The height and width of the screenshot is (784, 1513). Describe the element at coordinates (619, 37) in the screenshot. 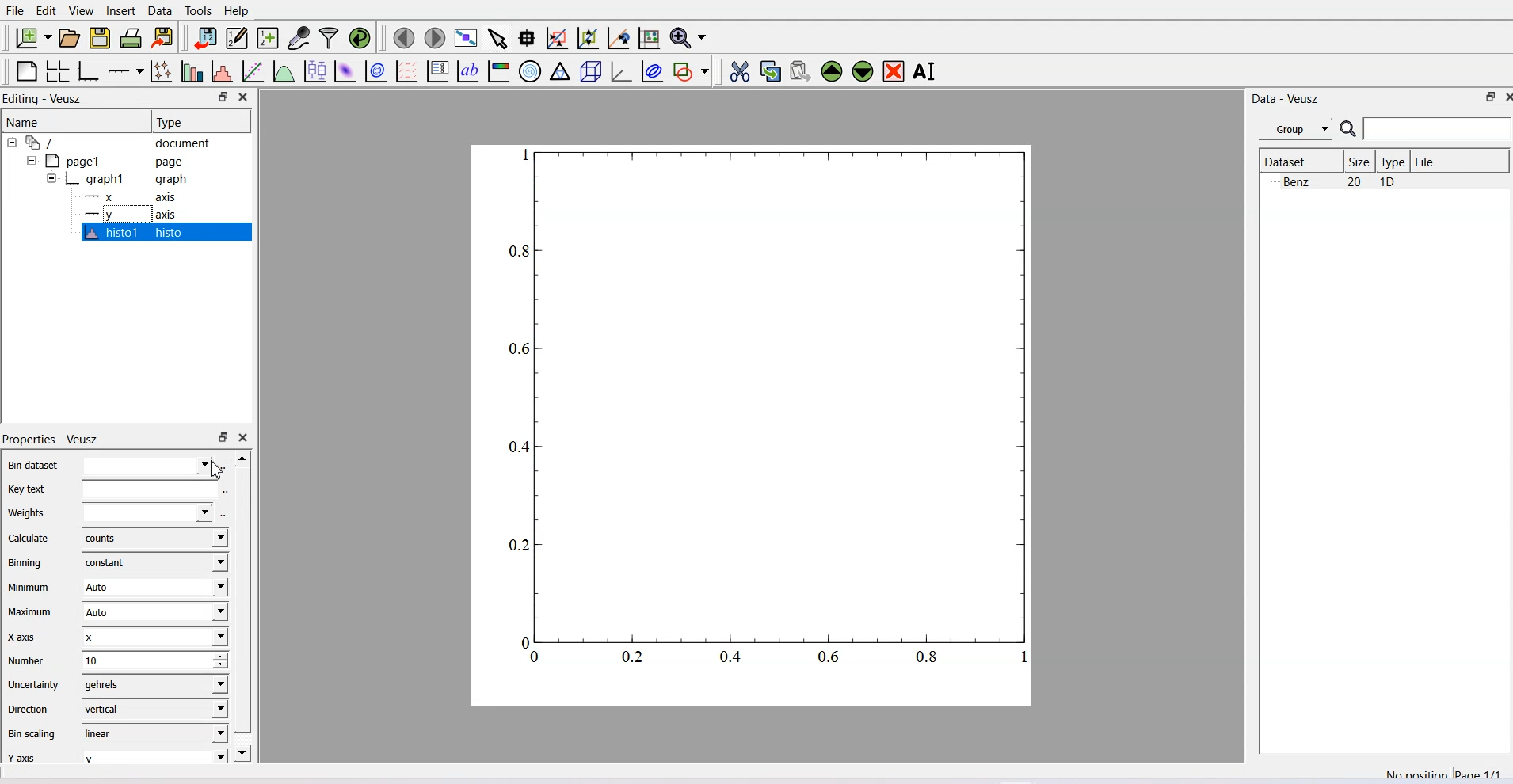

I see `Recenter graph axes` at that location.